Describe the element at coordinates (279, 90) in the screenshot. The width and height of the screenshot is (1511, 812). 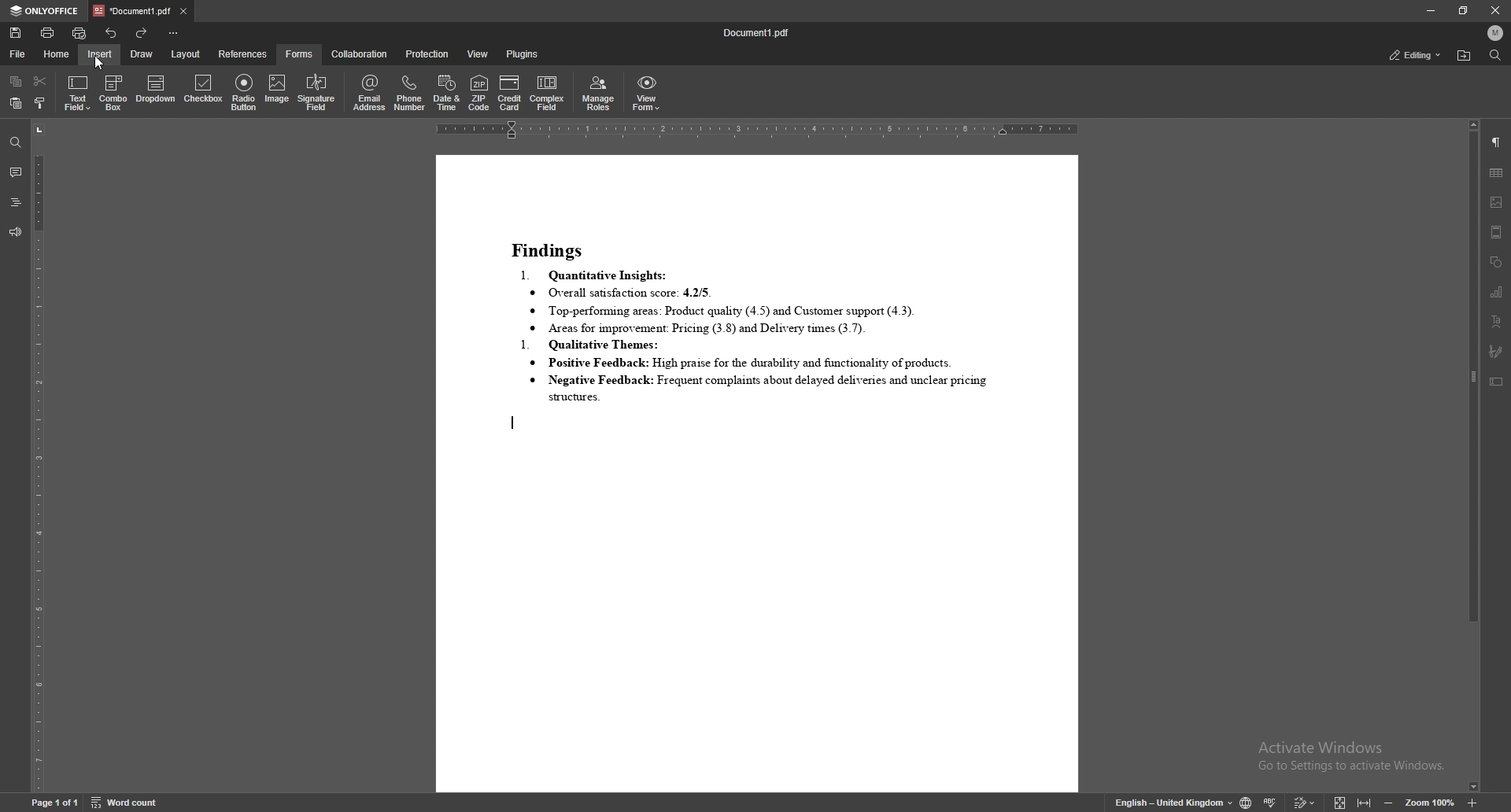
I see `image` at that location.